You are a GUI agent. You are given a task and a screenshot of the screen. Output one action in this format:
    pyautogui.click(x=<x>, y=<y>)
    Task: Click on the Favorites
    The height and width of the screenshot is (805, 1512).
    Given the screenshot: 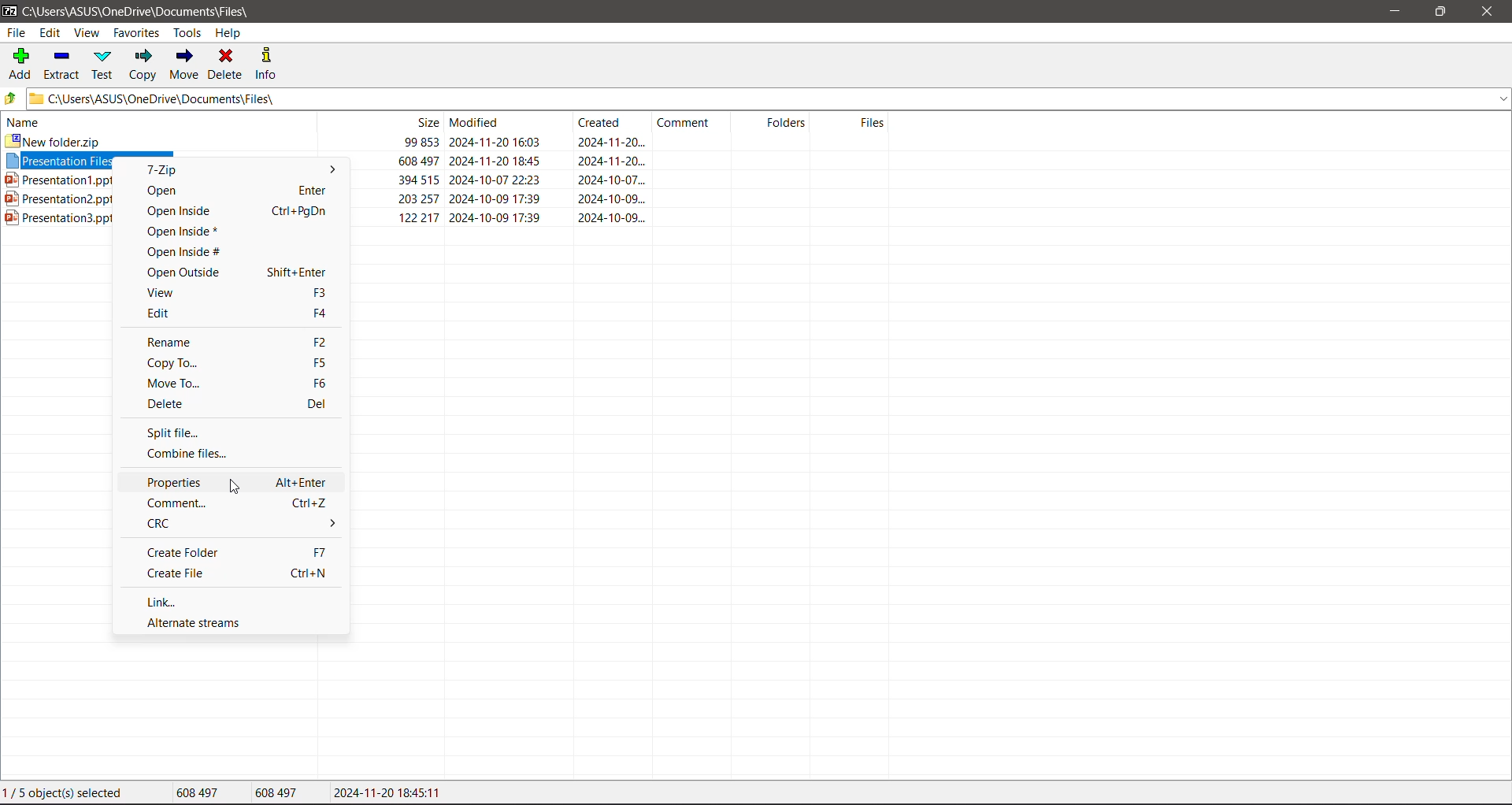 What is the action you would take?
    pyautogui.click(x=139, y=32)
    